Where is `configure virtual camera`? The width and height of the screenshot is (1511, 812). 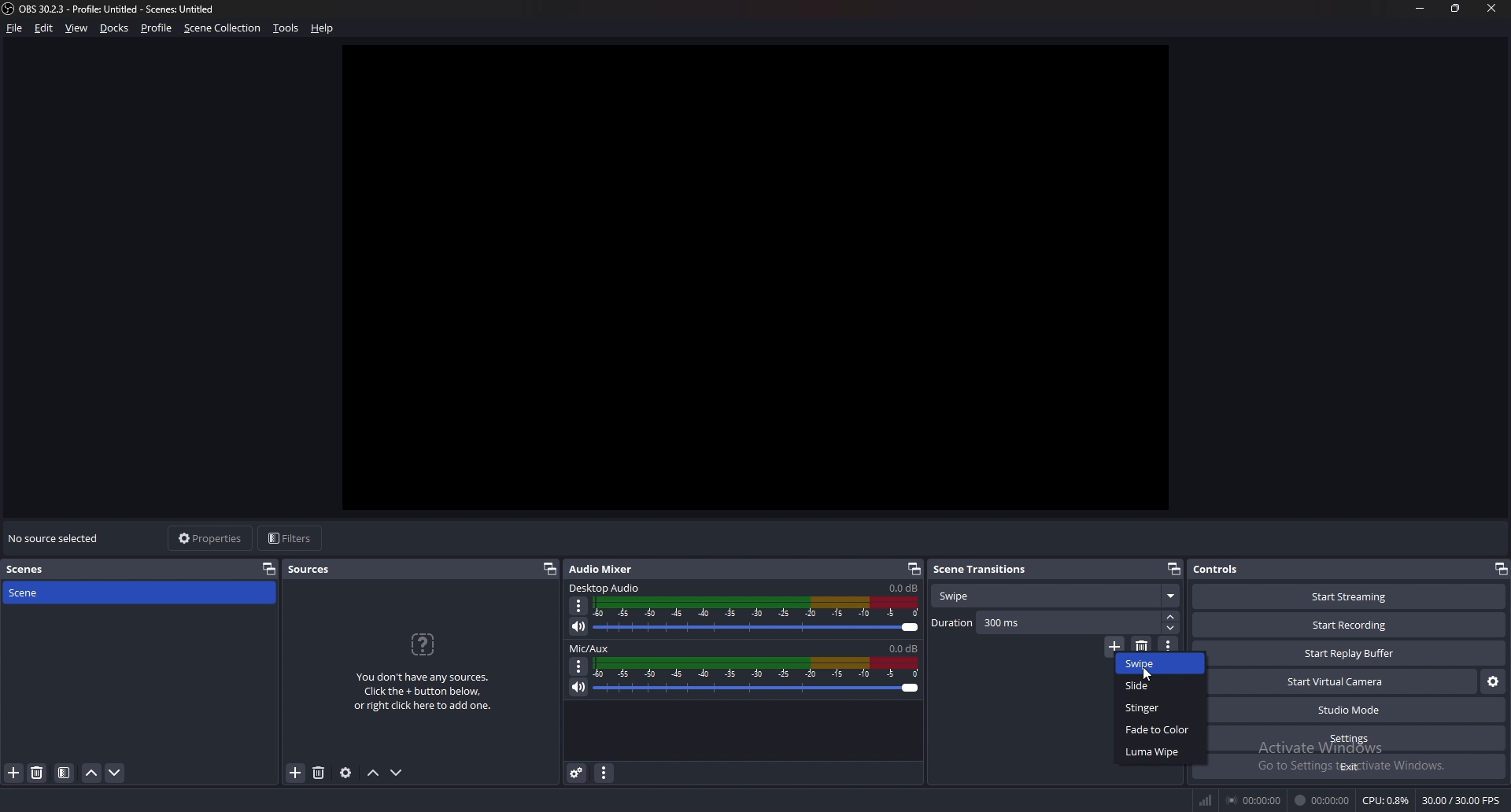
configure virtual camera is located at coordinates (1493, 682).